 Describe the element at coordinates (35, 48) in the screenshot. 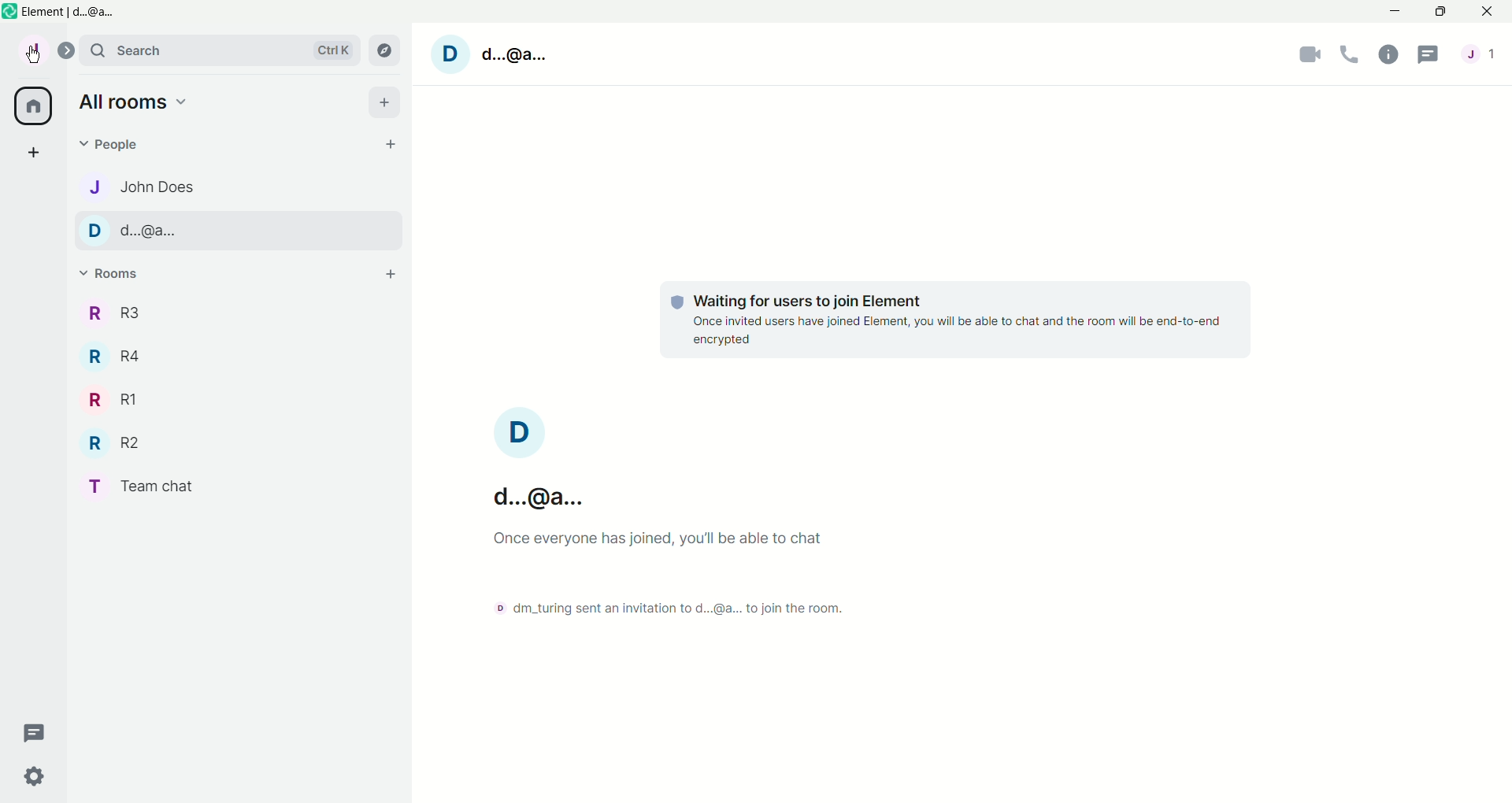

I see `User menu` at that location.